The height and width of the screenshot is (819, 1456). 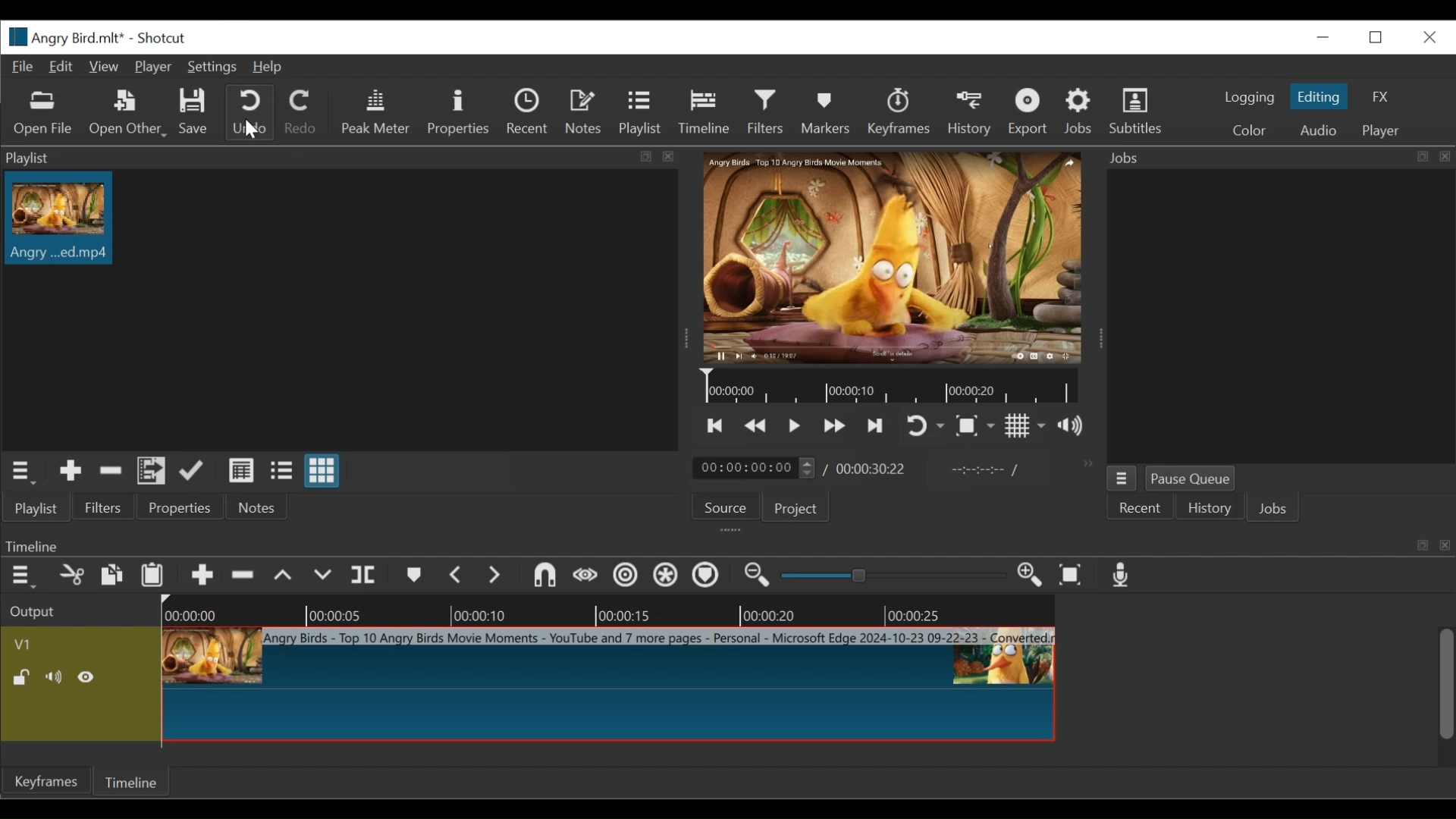 I want to click on Peak Meter, so click(x=372, y=111).